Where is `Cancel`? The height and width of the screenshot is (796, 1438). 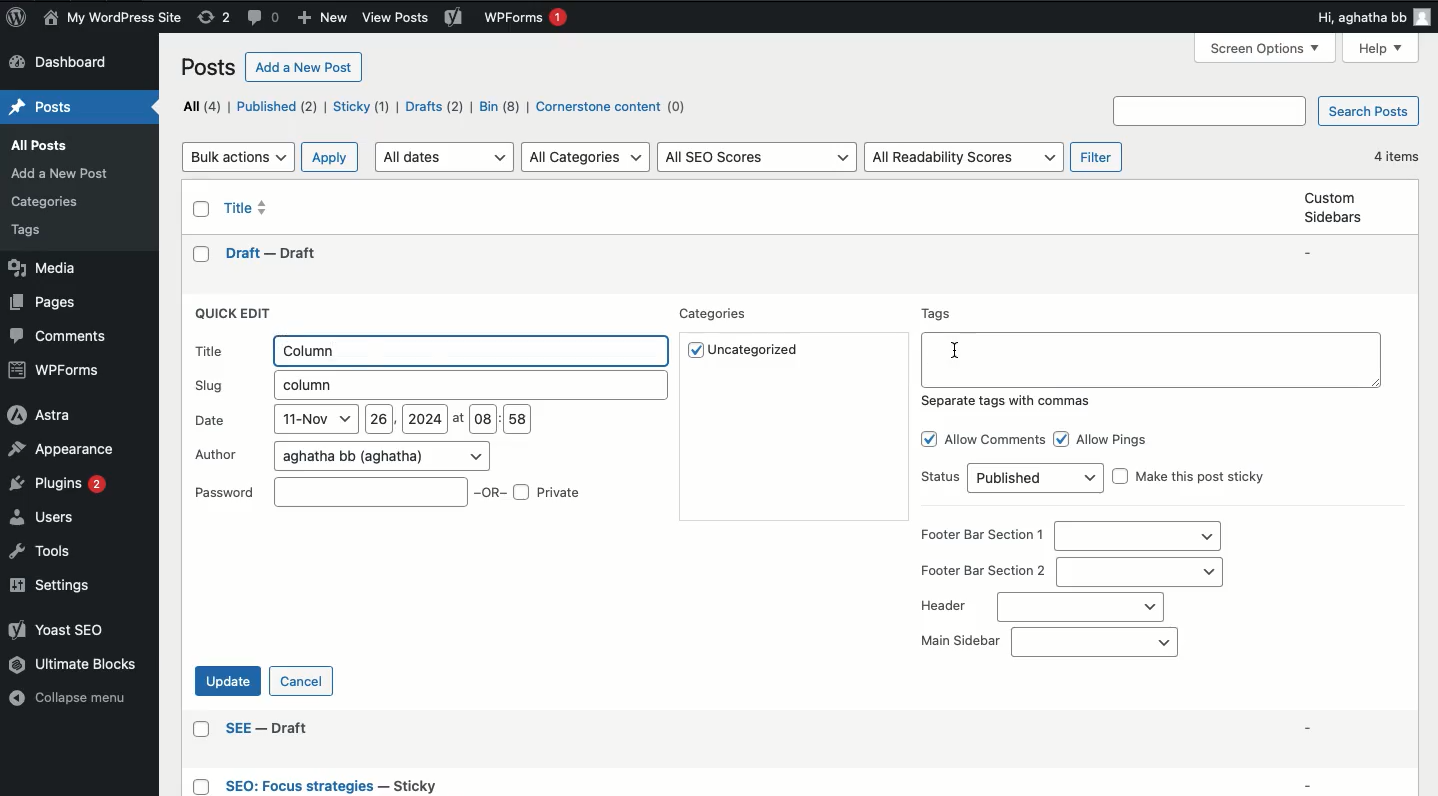
Cancel is located at coordinates (303, 680).